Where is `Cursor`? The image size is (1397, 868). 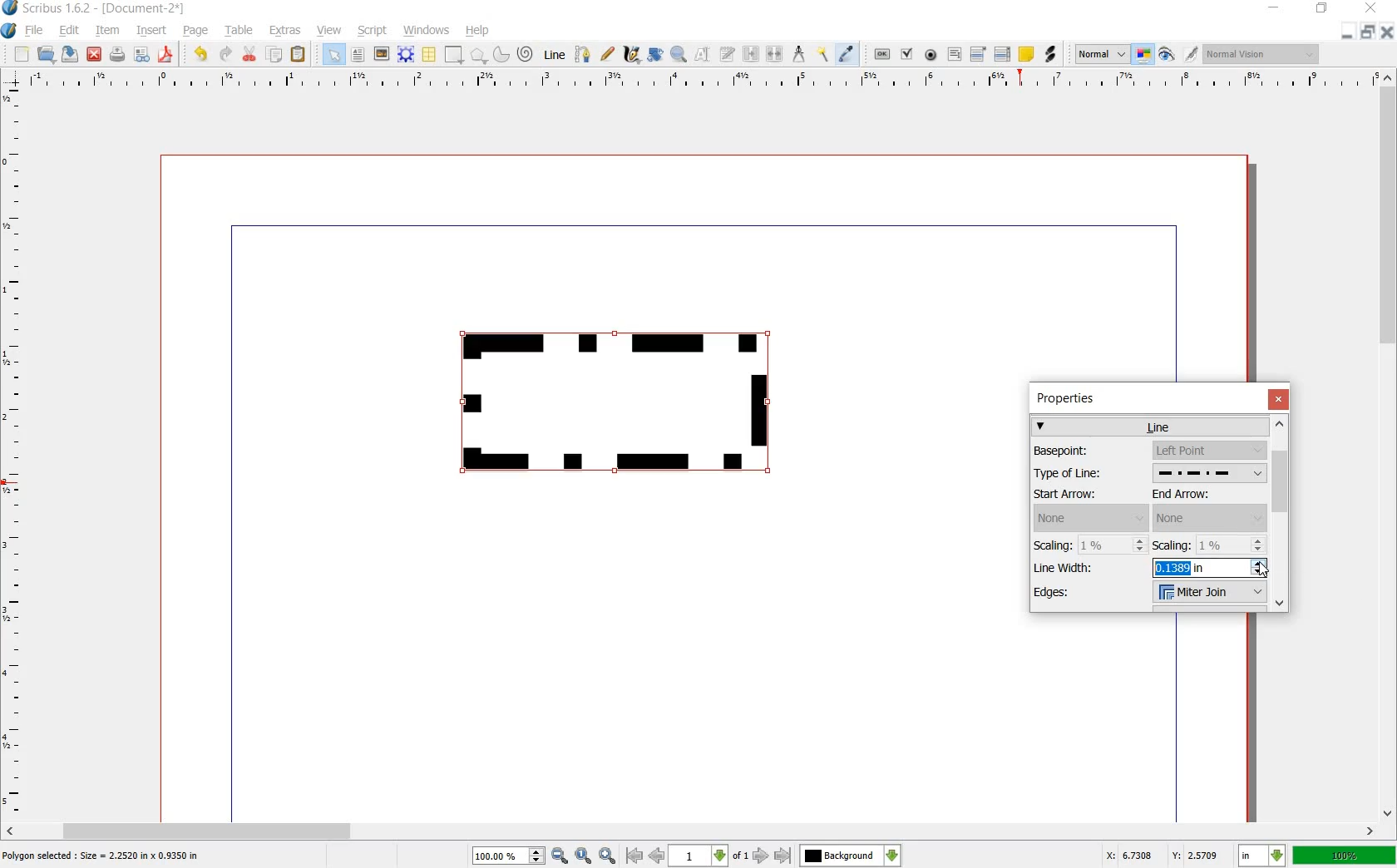
Cursor is located at coordinates (1264, 568).